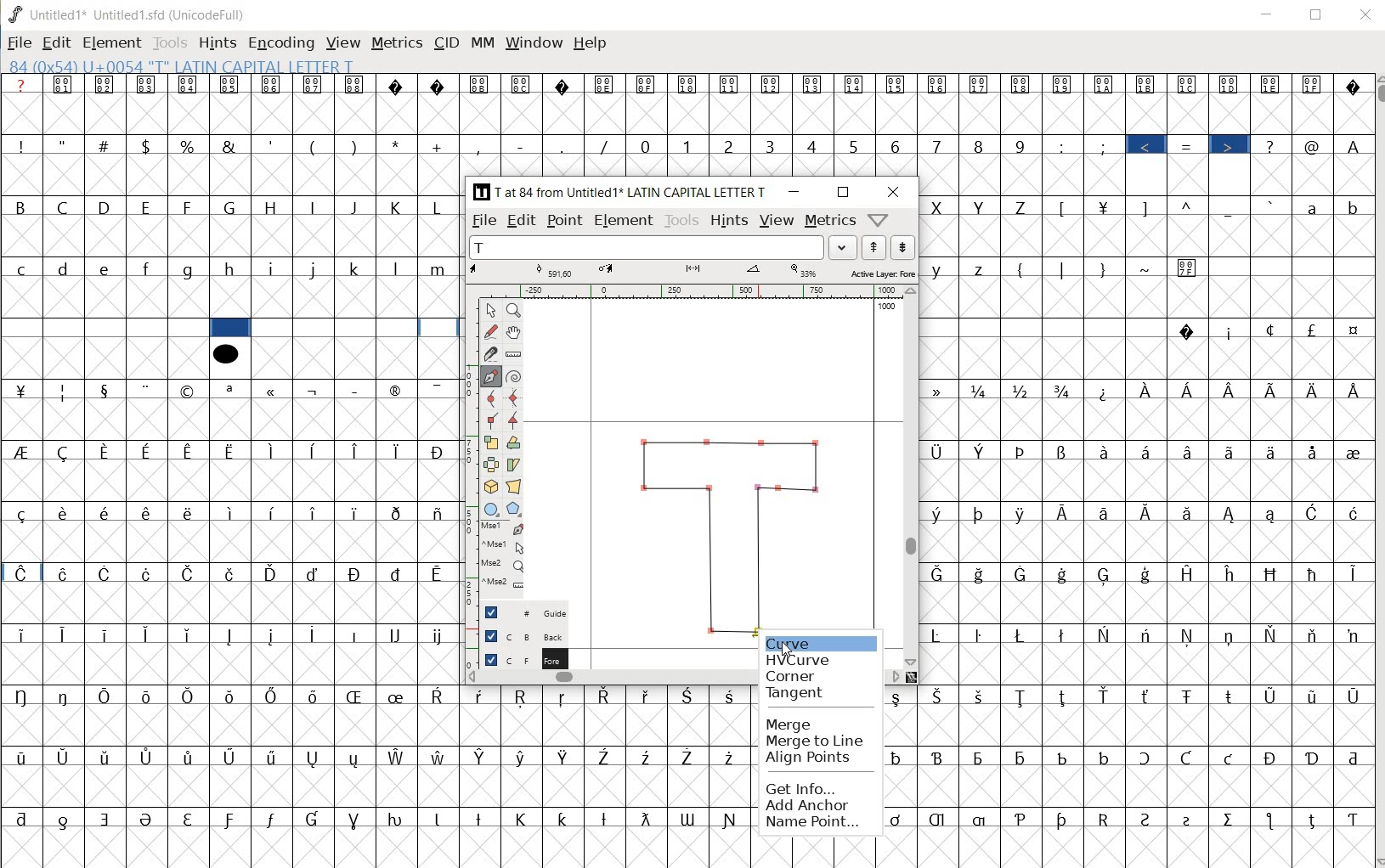 This screenshot has width=1385, height=868. Describe the element at coordinates (108, 451) in the screenshot. I see `Symbol` at that location.